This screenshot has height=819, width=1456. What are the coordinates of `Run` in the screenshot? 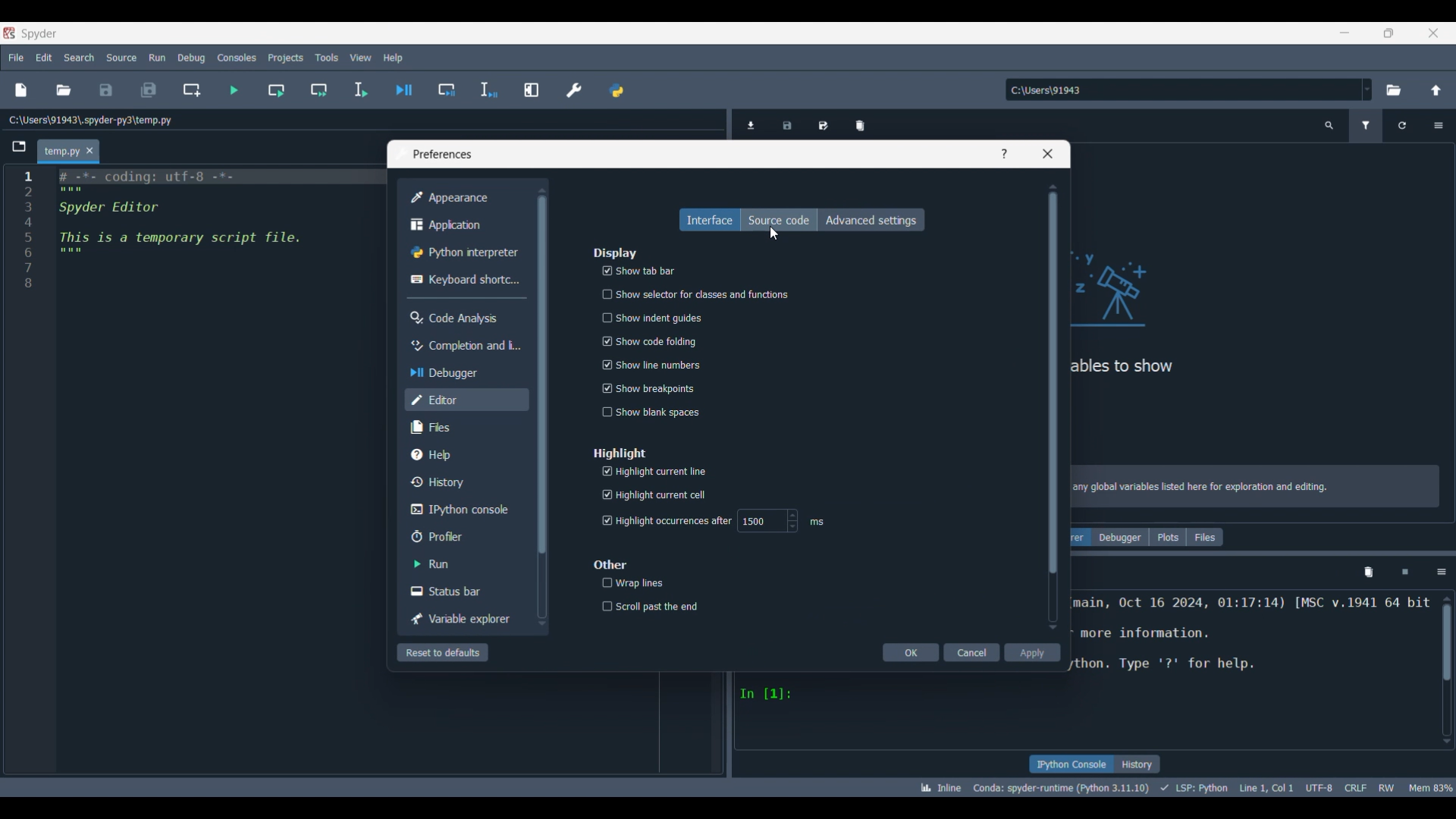 It's located at (464, 563).